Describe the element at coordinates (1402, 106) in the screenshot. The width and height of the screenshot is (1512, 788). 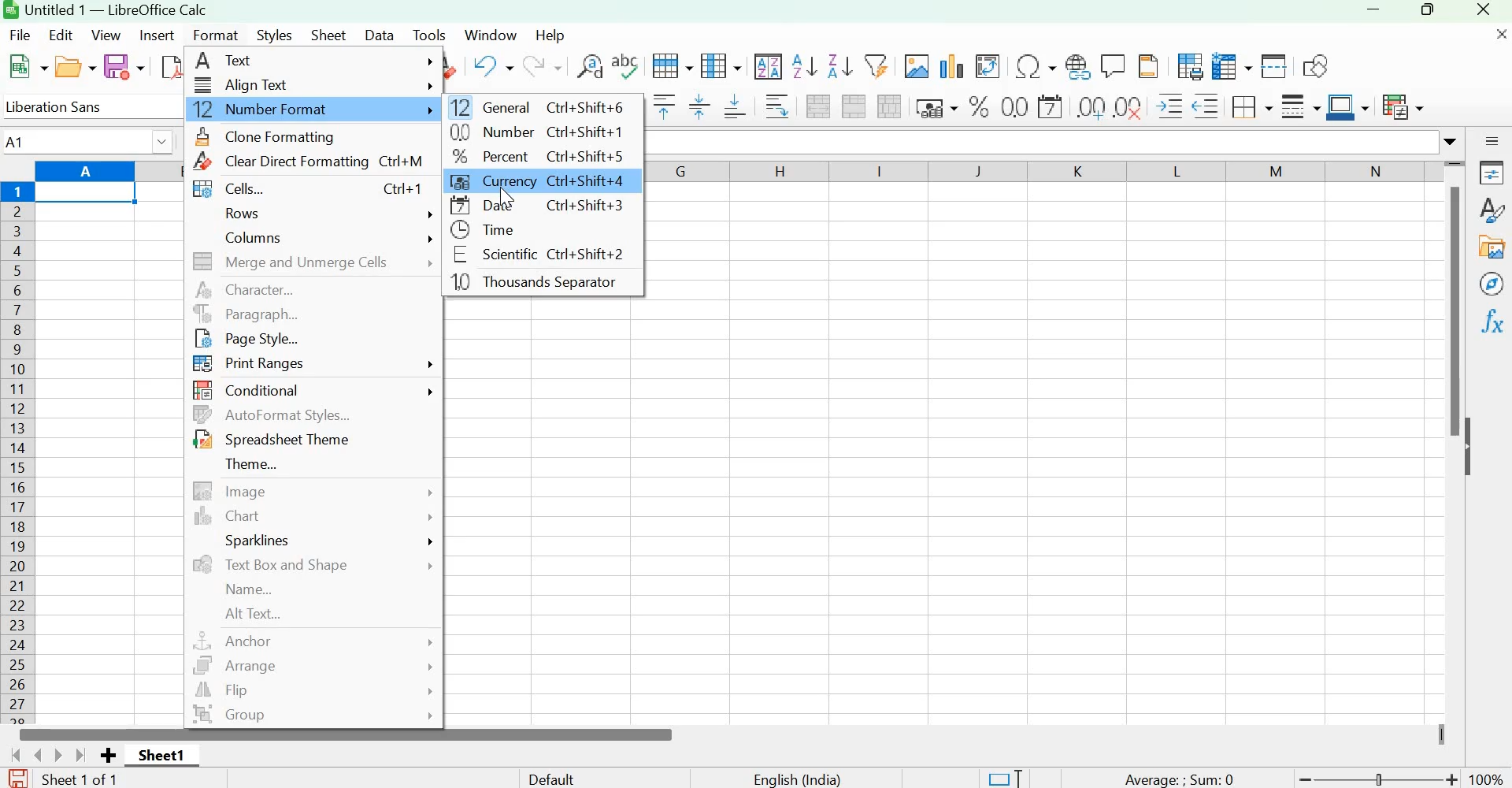
I see `Conditional ` at that location.